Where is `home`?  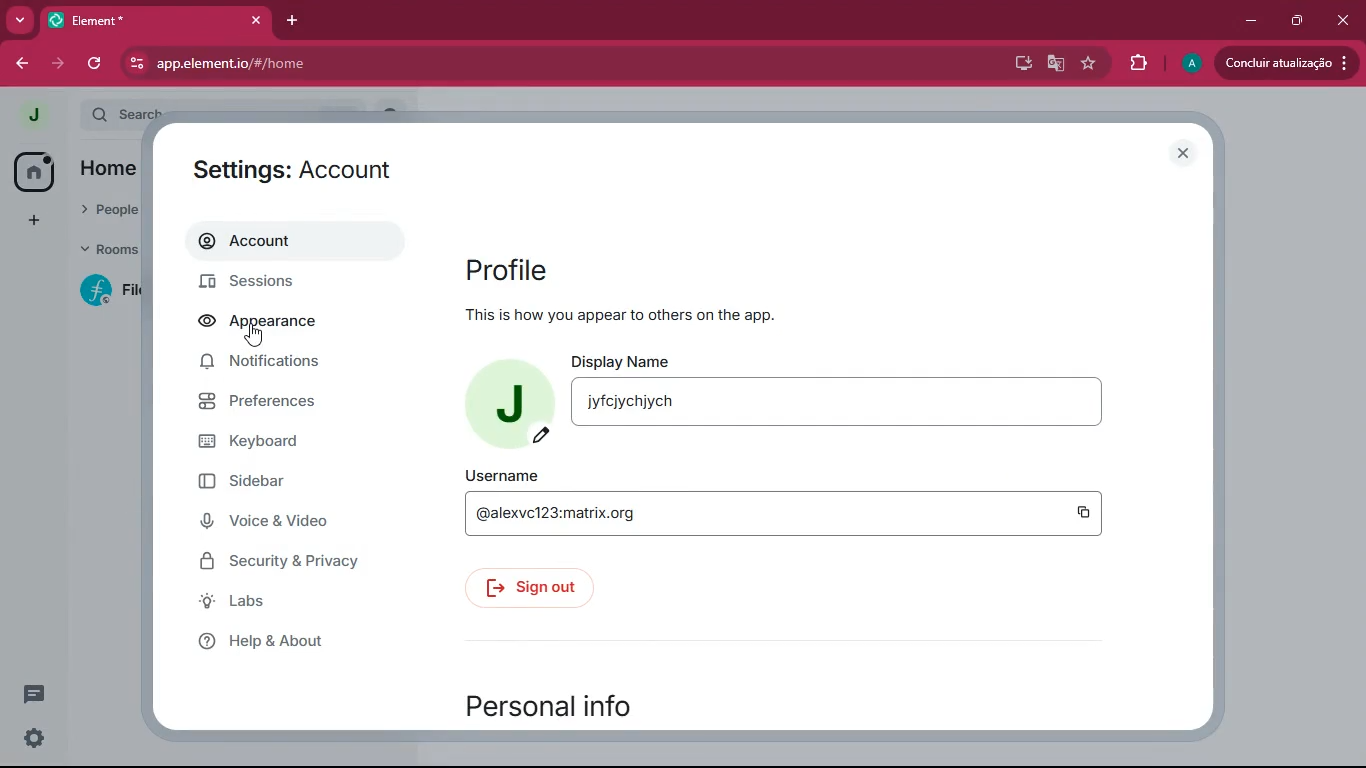
home is located at coordinates (27, 170).